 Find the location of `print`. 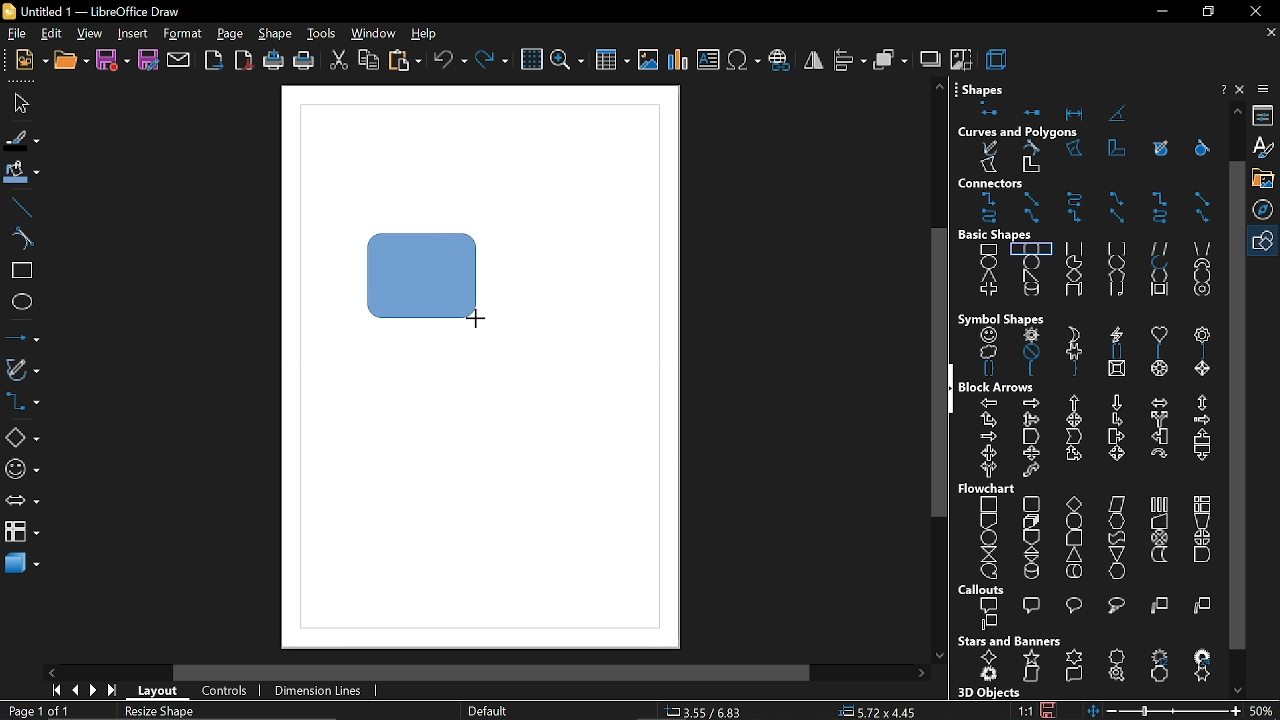

print is located at coordinates (303, 63).